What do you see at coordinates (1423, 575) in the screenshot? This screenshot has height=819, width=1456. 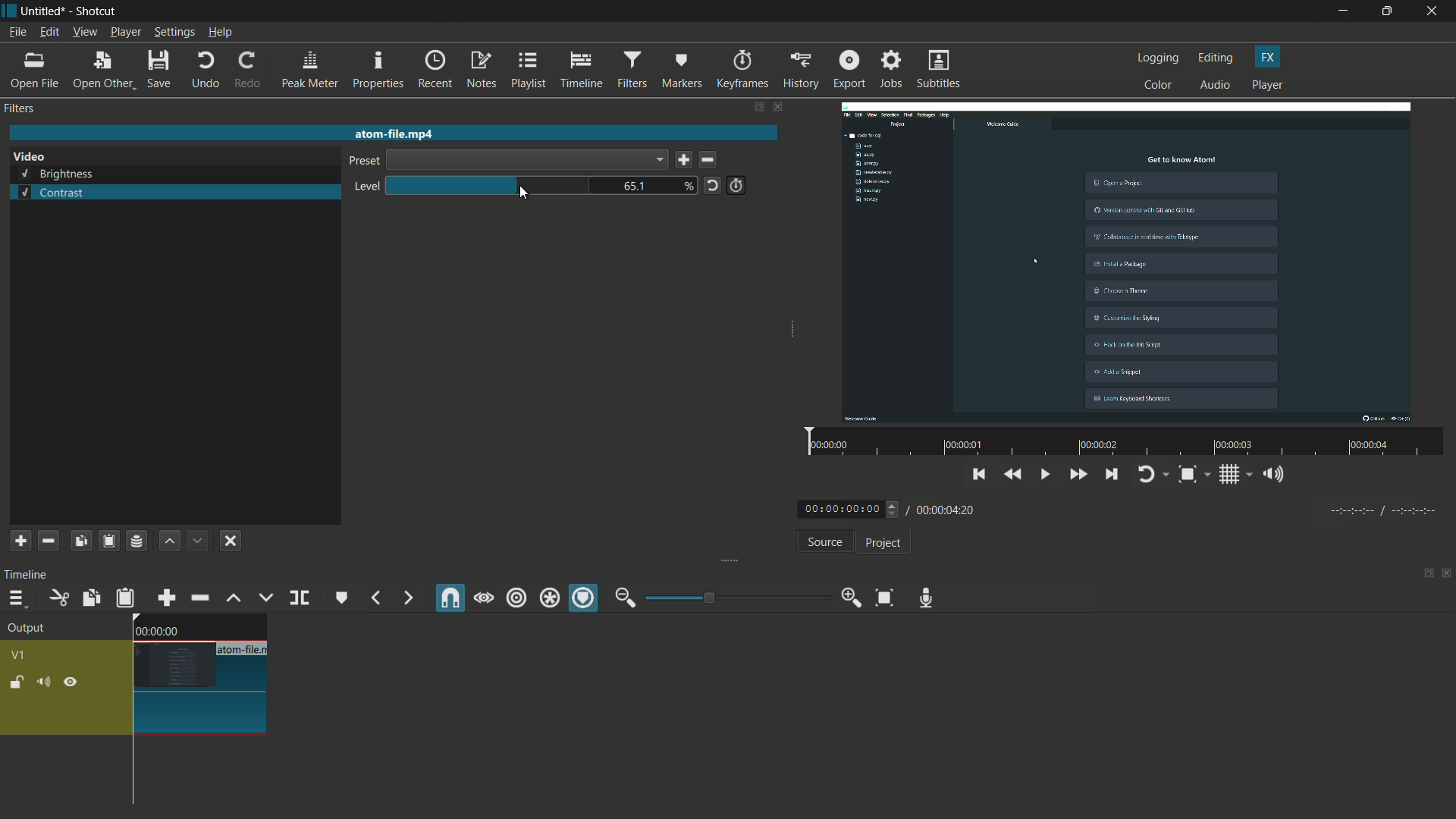 I see `show tabs` at bounding box center [1423, 575].